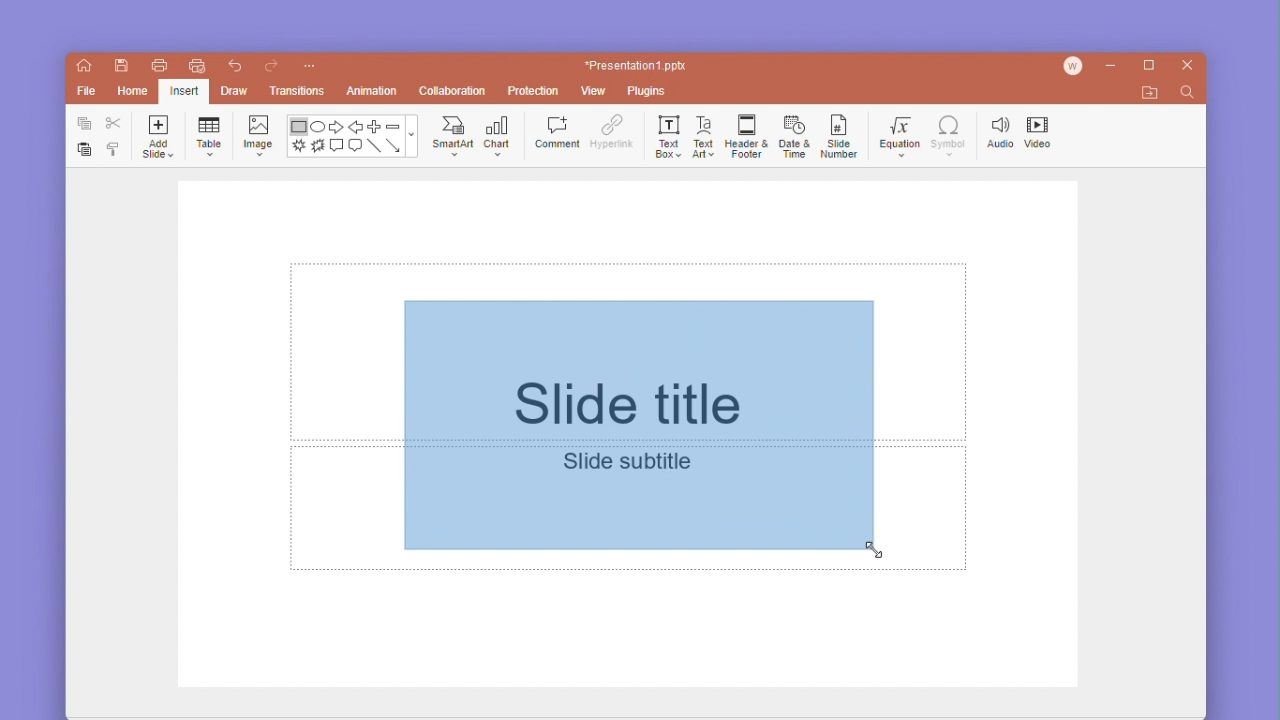 Image resolution: width=1280 pixels, height=720 pixels. I want to click on find, so click(1189, 95).